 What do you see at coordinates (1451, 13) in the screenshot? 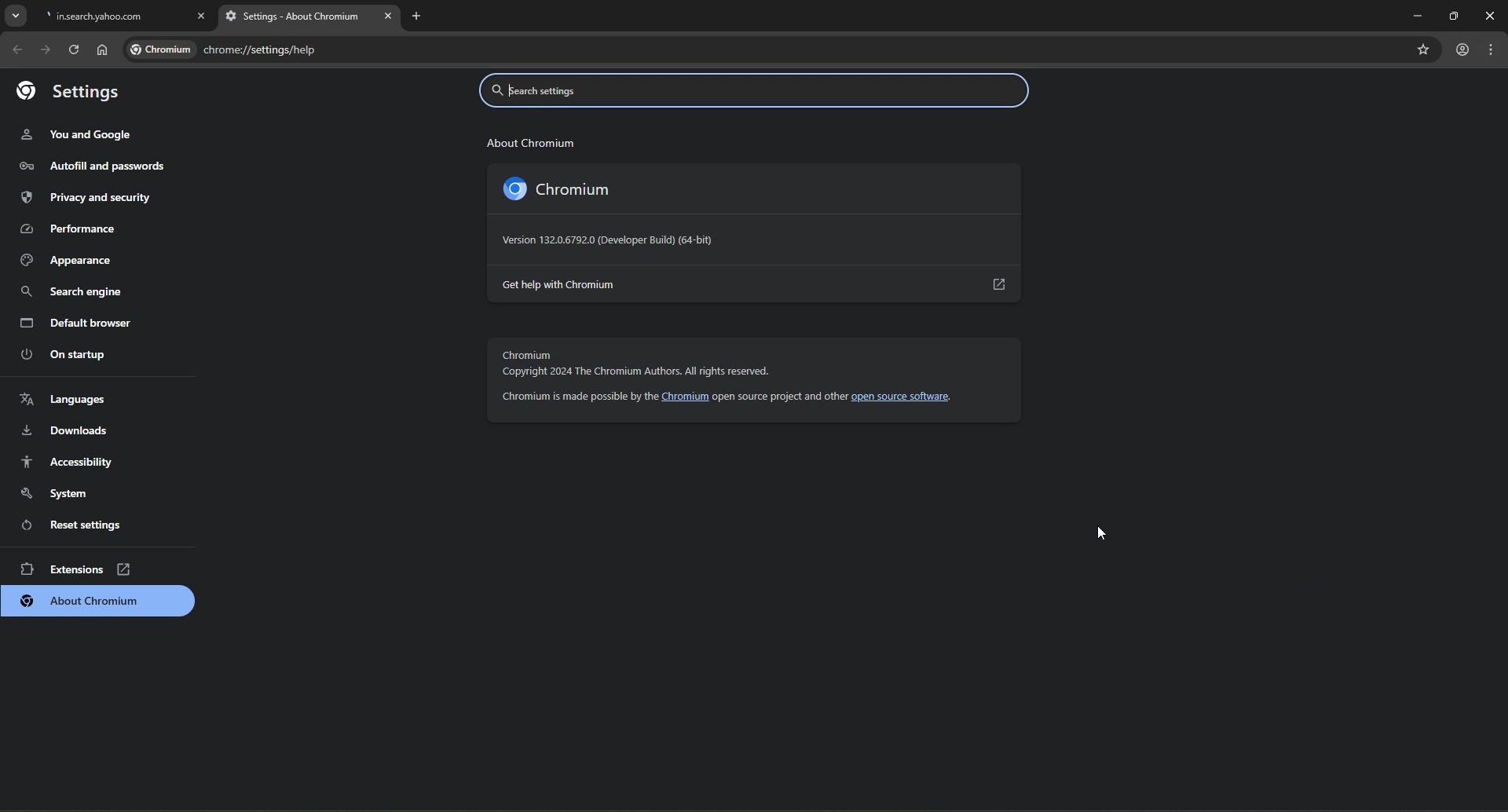
I see `Maximize` at bounding box center [1451, 13].